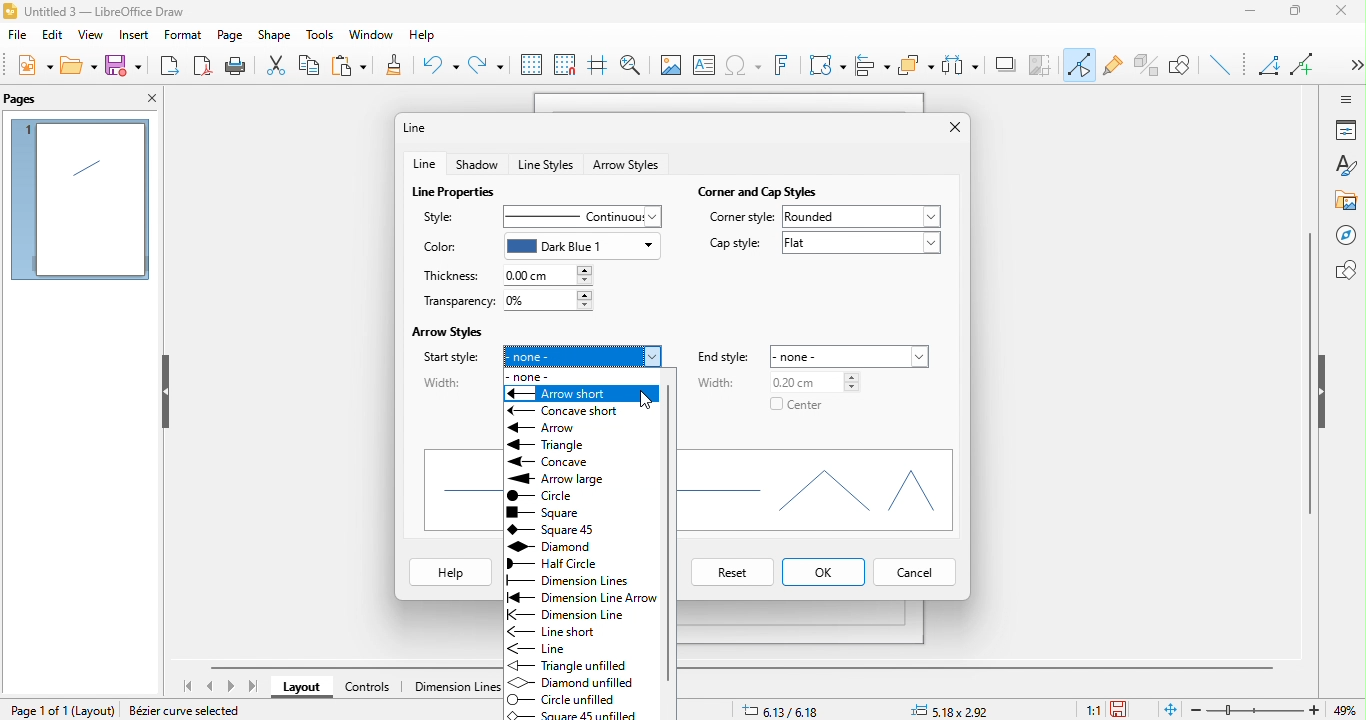 Image resolution: width=1366 pixels, height=720 pixels. Describe the element at coordinates (252, 686) in the screenshot. I see `last page` at that location.